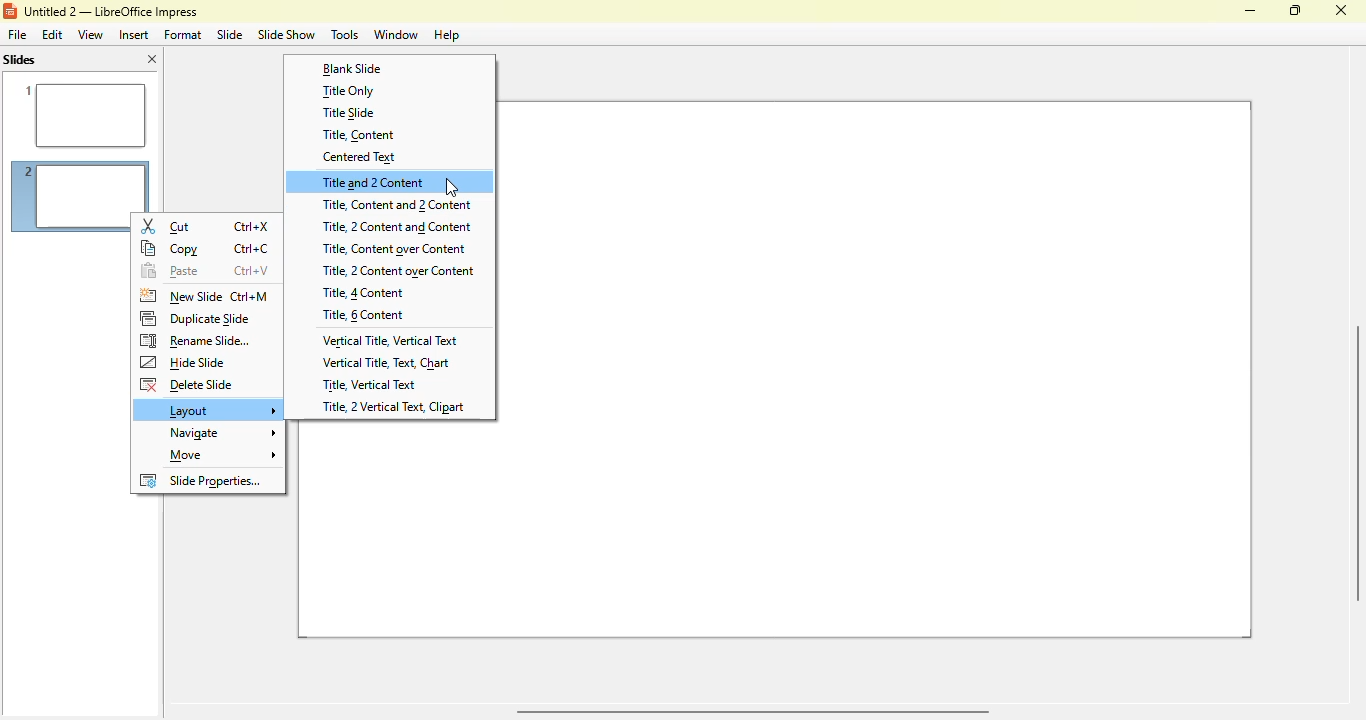 The width and height of the screenshot is (1366, 720). What do you see at coordinates (198, 480) in the screenshot?
I see `slide properties` at bounding box center [198, 480].